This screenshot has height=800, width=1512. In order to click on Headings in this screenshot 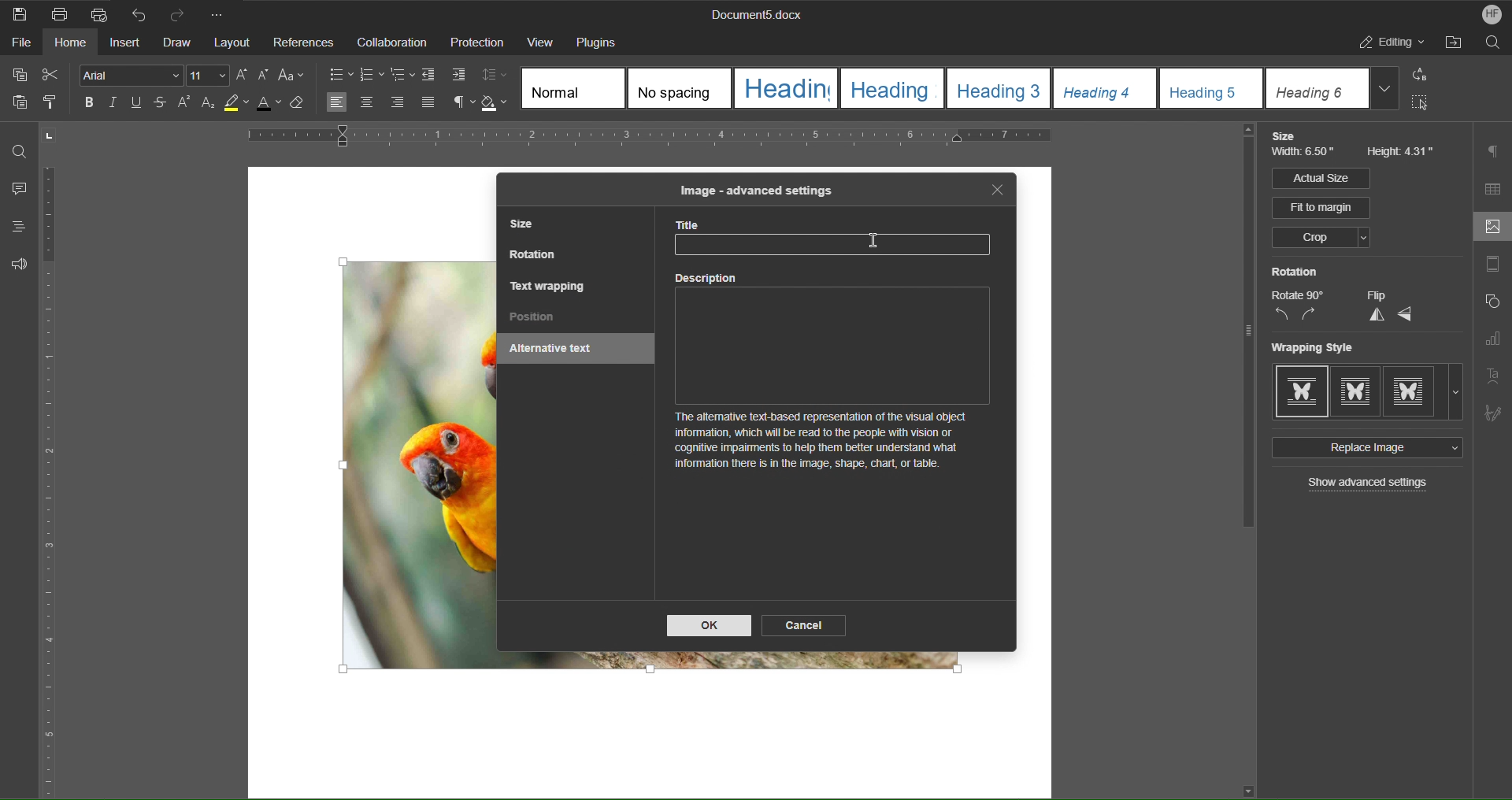, I will do `click(13, 227)`.